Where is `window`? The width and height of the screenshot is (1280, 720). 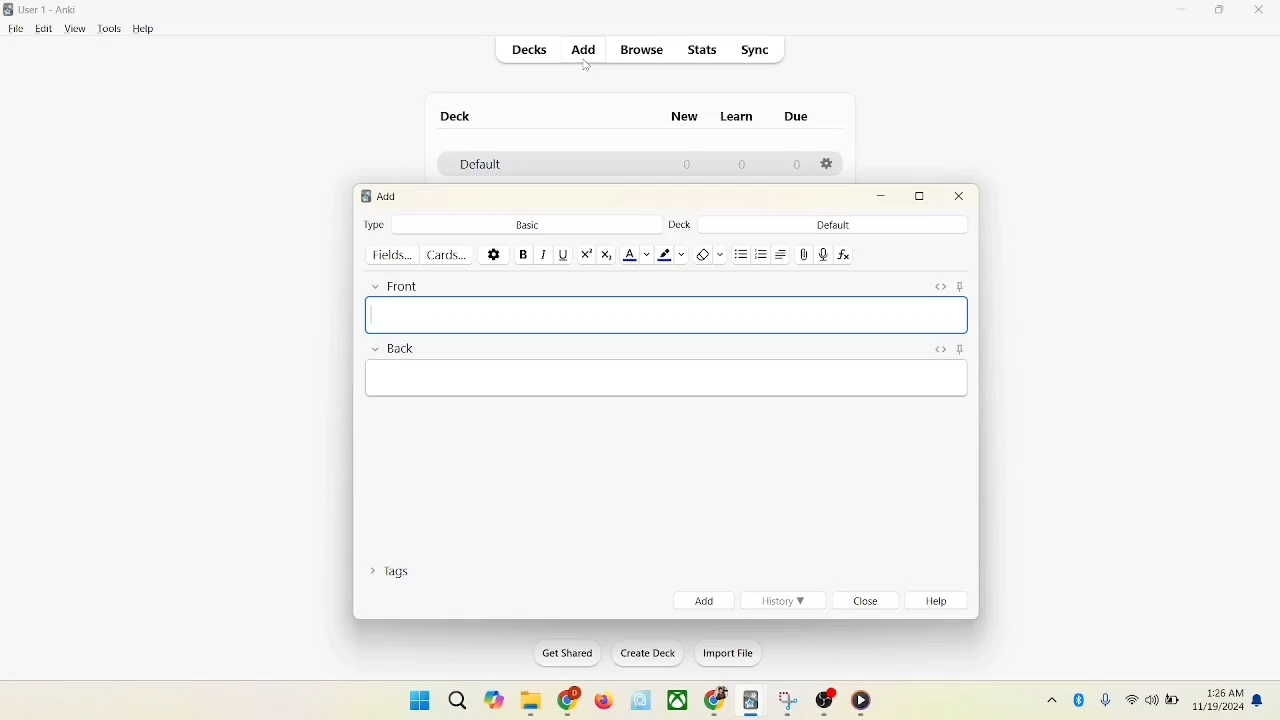
window is located at coordinates (412, 699).